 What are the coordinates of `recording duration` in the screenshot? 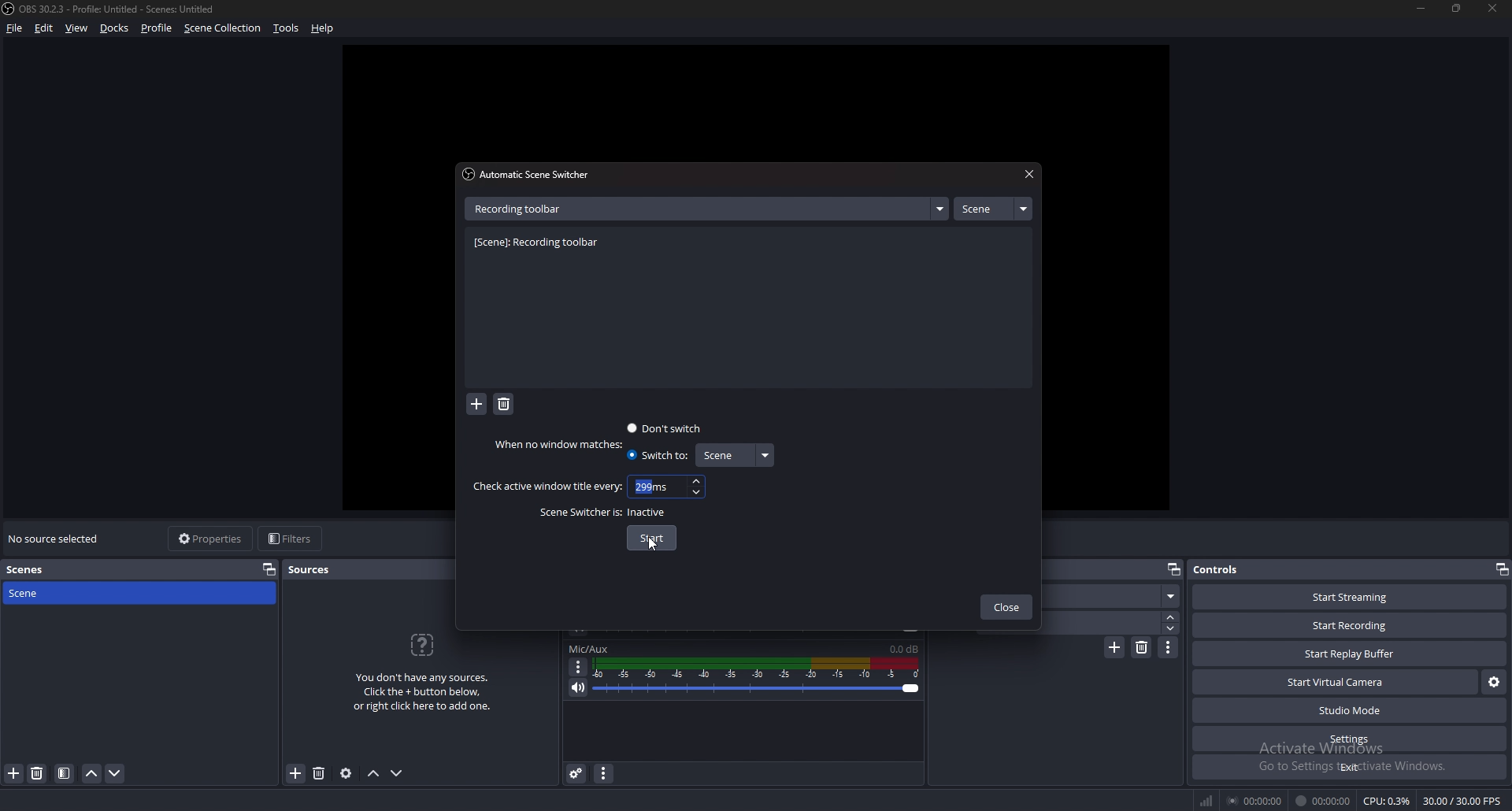 It's located at (1324, 801).